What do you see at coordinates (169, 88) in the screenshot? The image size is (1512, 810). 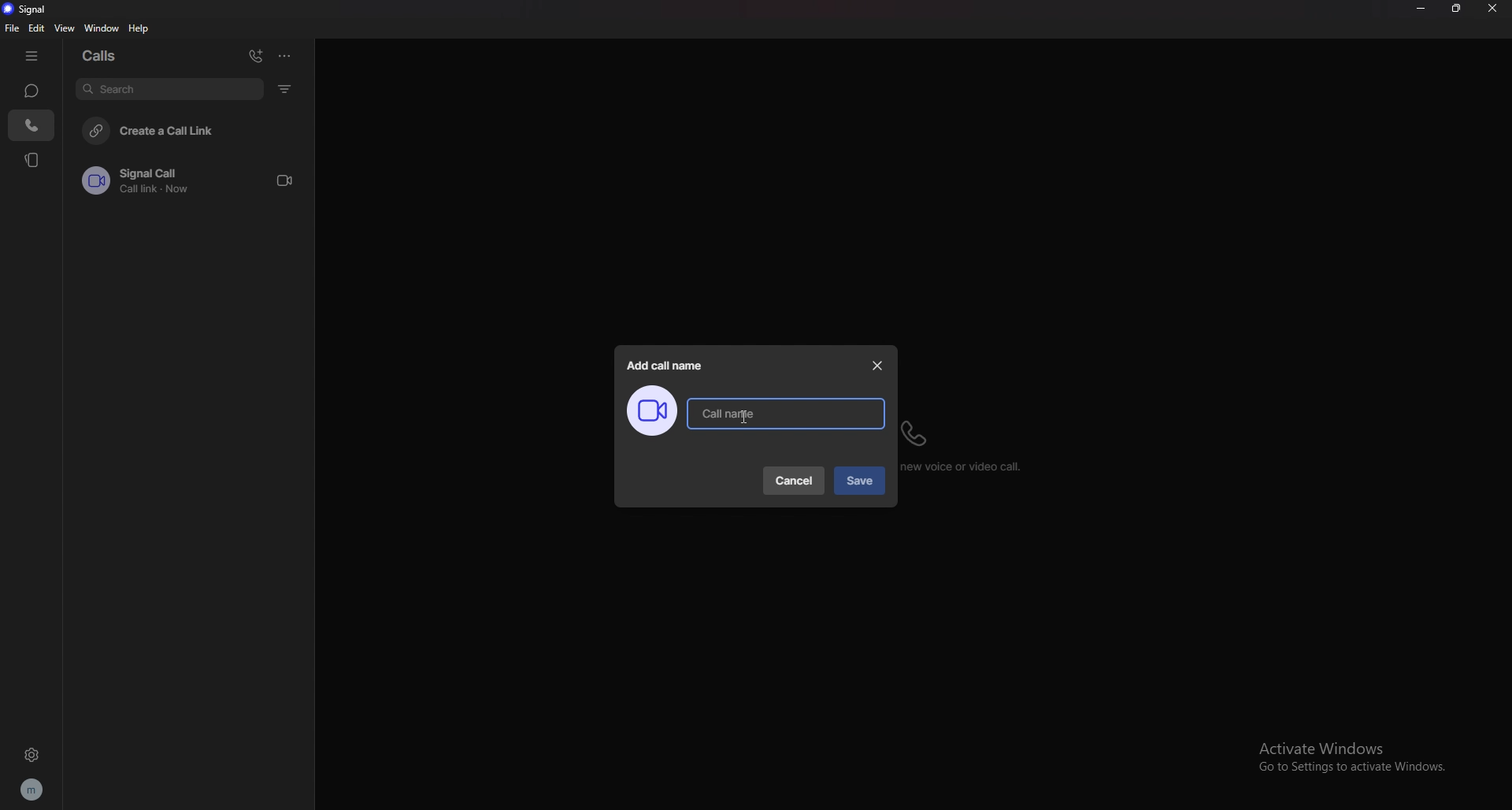 I see `search` at bounding box center [169, 88].